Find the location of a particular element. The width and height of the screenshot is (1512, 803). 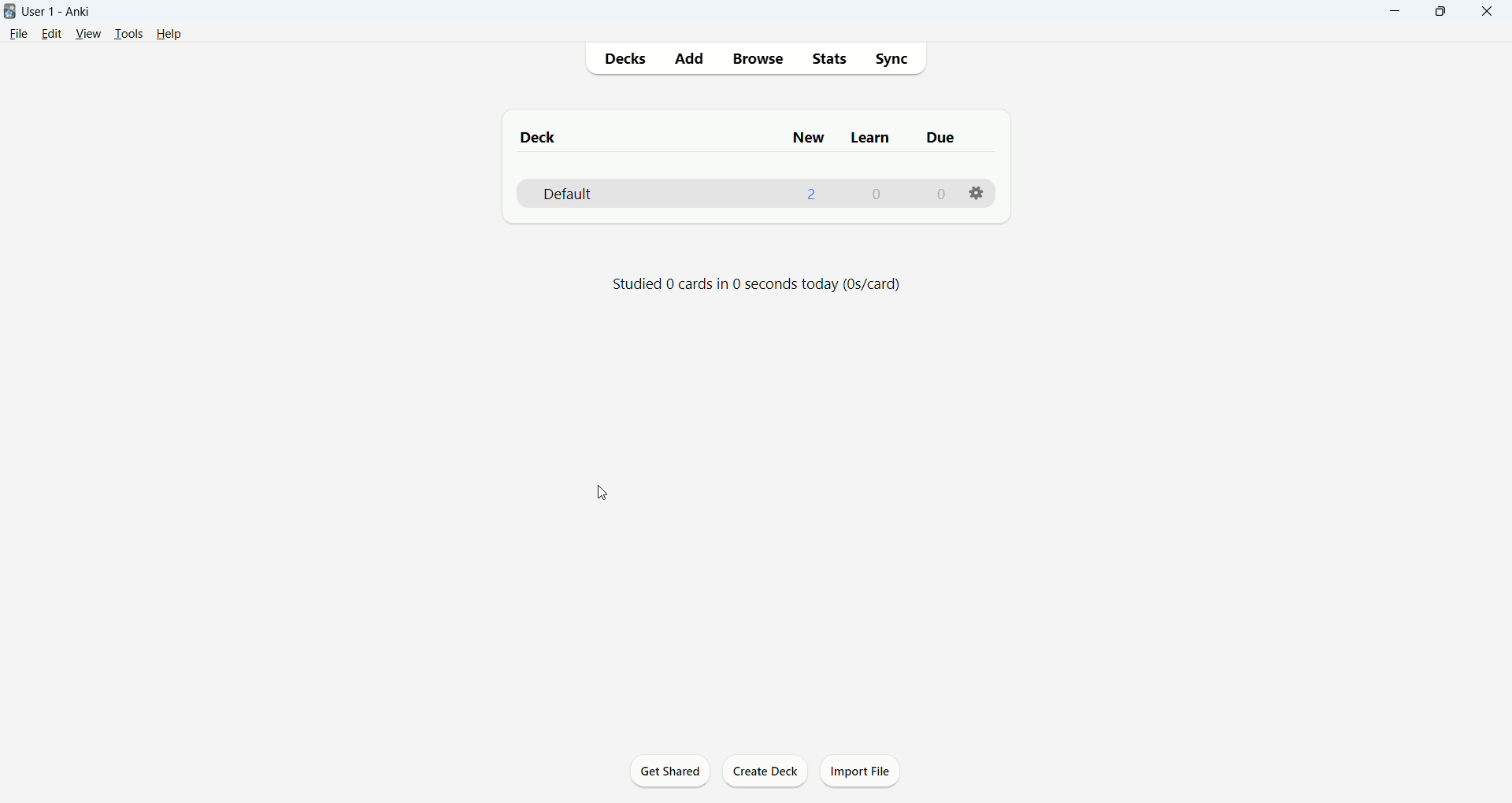

minimize is located at coordinates (1396, 10).